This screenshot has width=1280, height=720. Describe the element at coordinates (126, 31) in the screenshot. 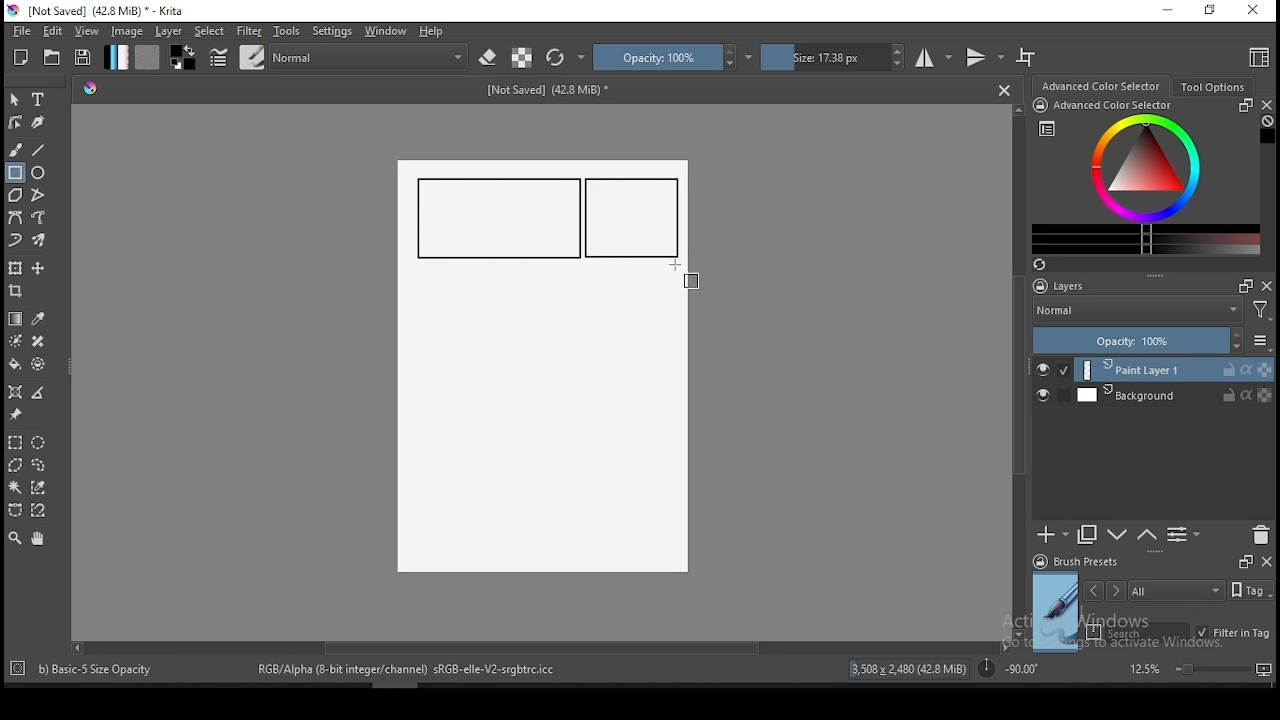

I see `image` at that location.